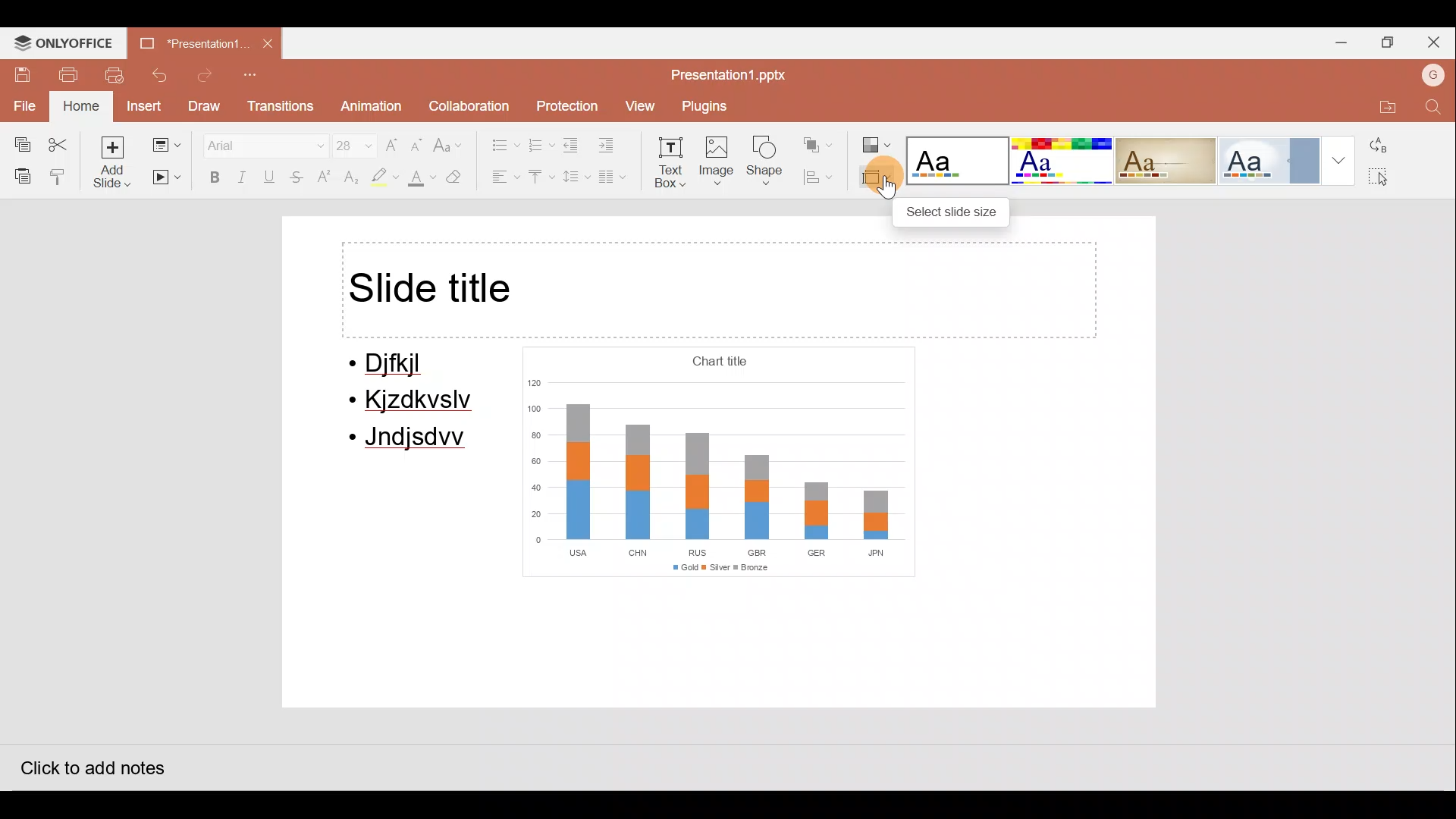 The height and width of the screenshot is (819, 1456). Describe the element at coordinates (79, 107) in the screenshot. I see `Home` at that location.